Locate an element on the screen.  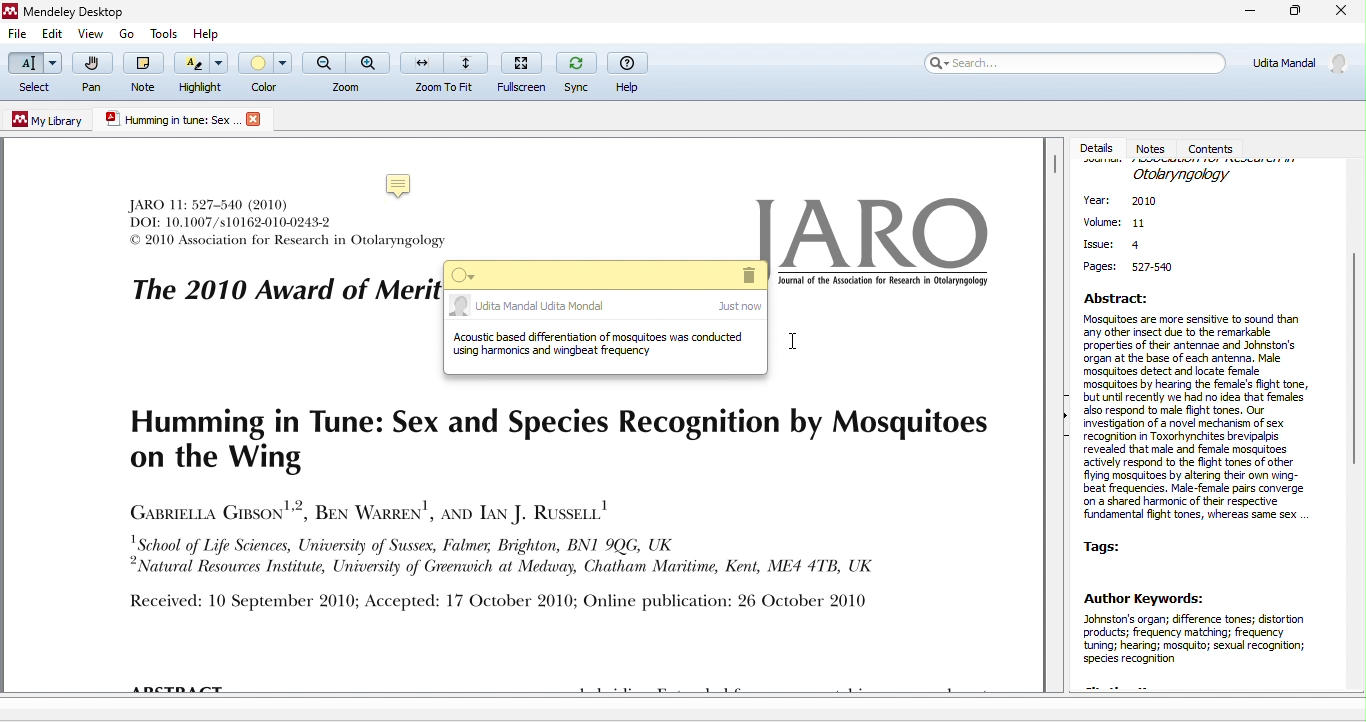
go is located at coordinates (125, 33).